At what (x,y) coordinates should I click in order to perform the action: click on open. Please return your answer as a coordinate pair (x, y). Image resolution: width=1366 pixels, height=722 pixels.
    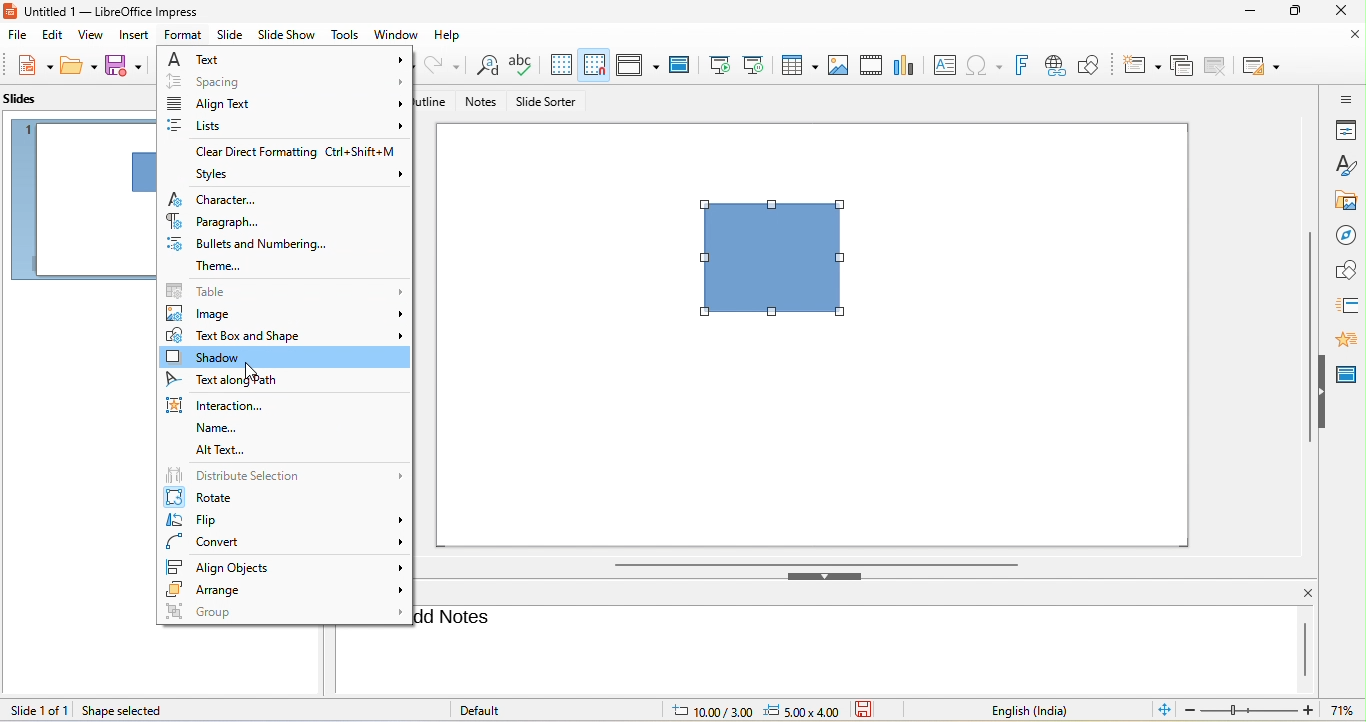
    Looking at the image, I should click on (78, 66).